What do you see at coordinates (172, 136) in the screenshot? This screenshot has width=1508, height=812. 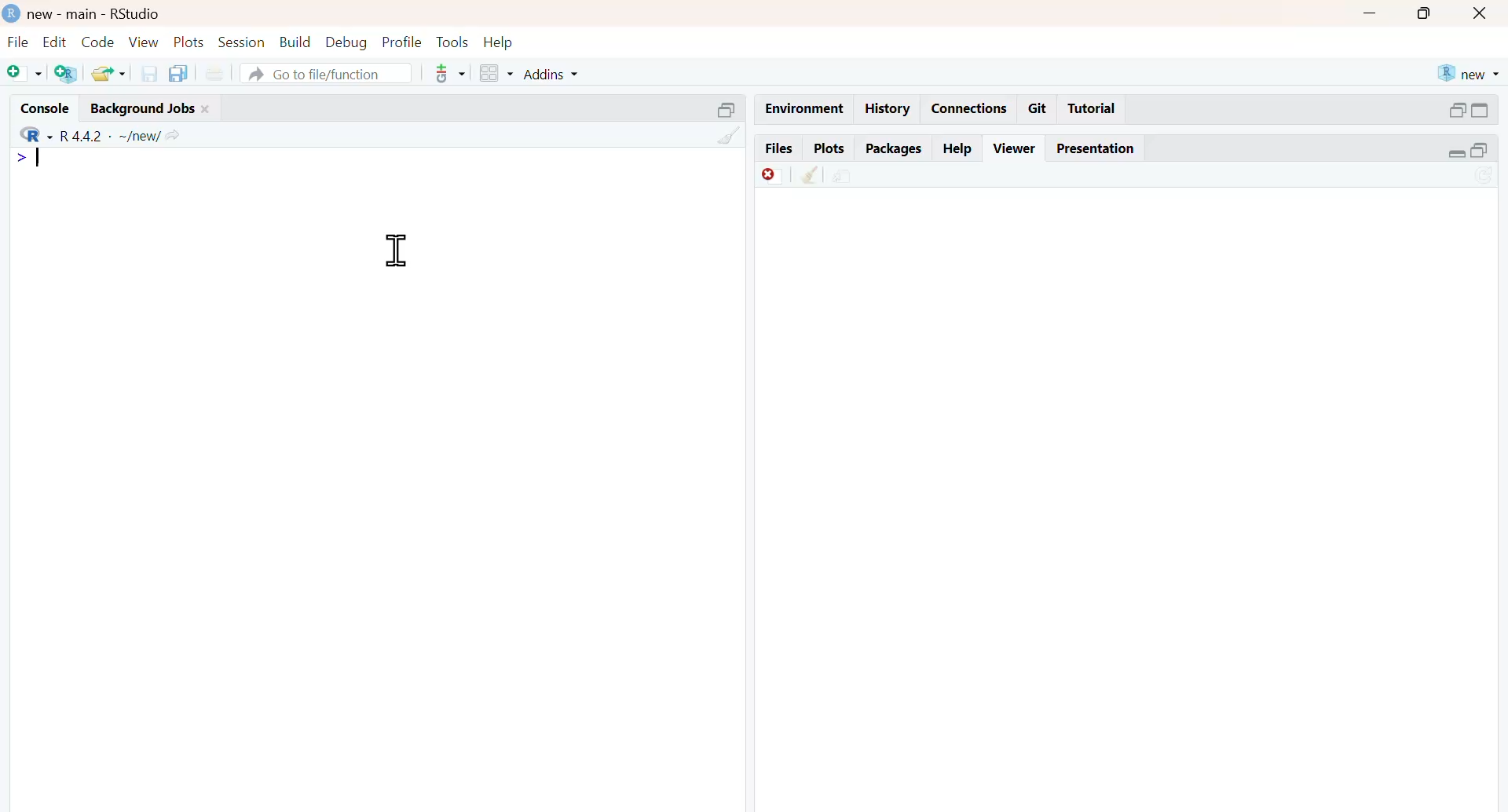 I see `share icon` at bounding box center [172, 136].